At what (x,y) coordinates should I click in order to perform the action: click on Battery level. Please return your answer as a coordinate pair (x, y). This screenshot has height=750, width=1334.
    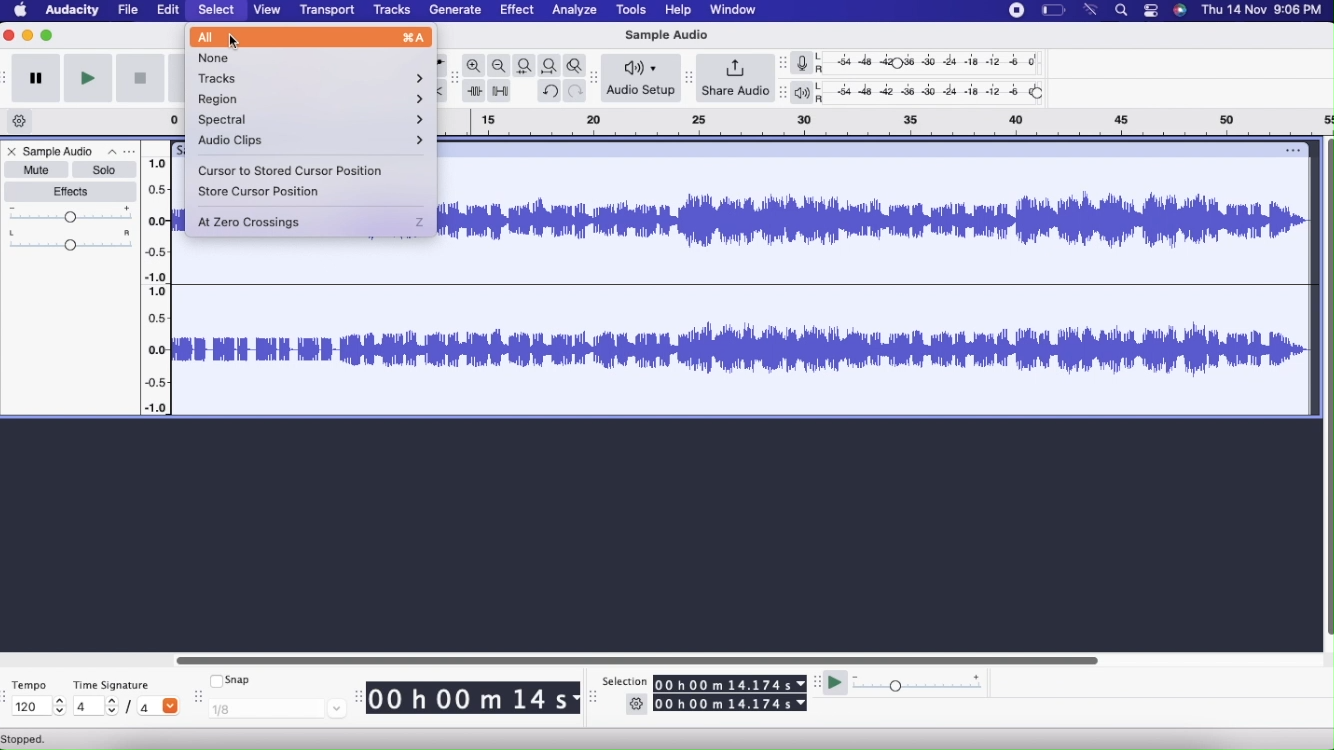
    Looking at the image, I should click on (1055, 10).